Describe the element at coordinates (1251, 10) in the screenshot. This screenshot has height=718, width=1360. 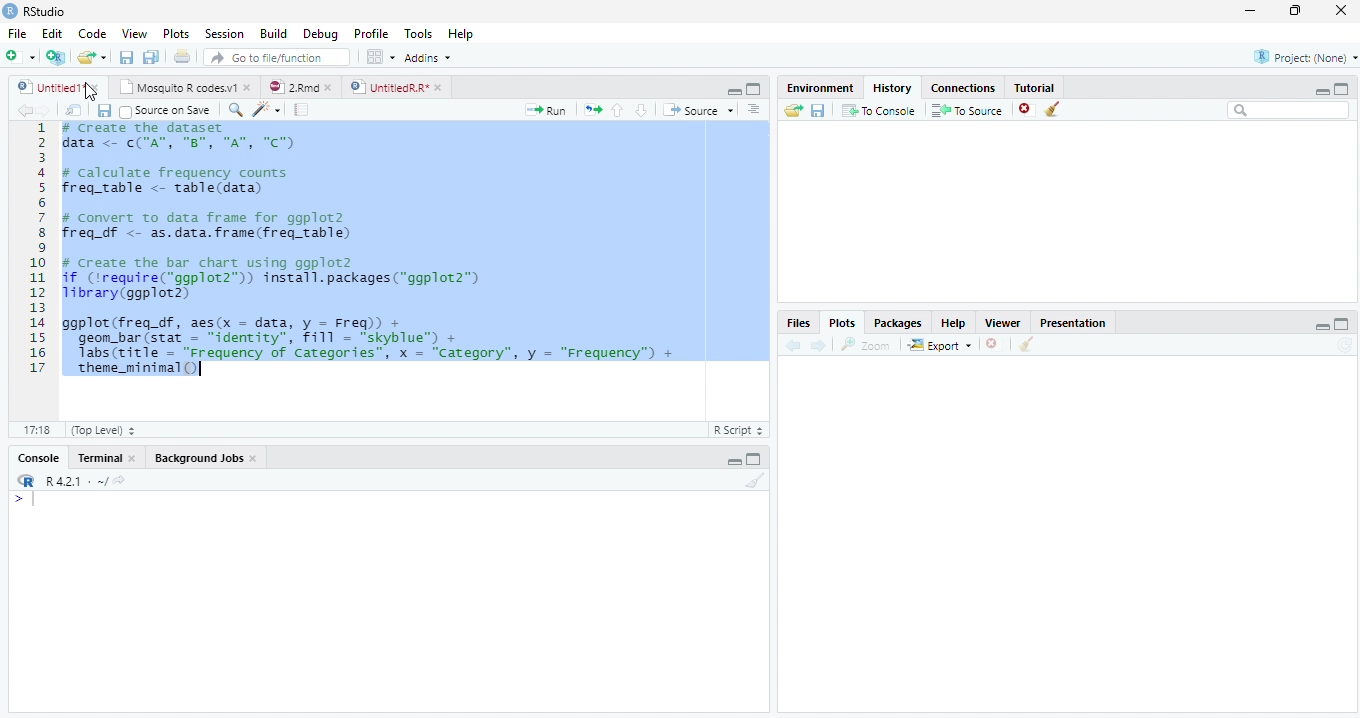
I see `Minimize` at that location.